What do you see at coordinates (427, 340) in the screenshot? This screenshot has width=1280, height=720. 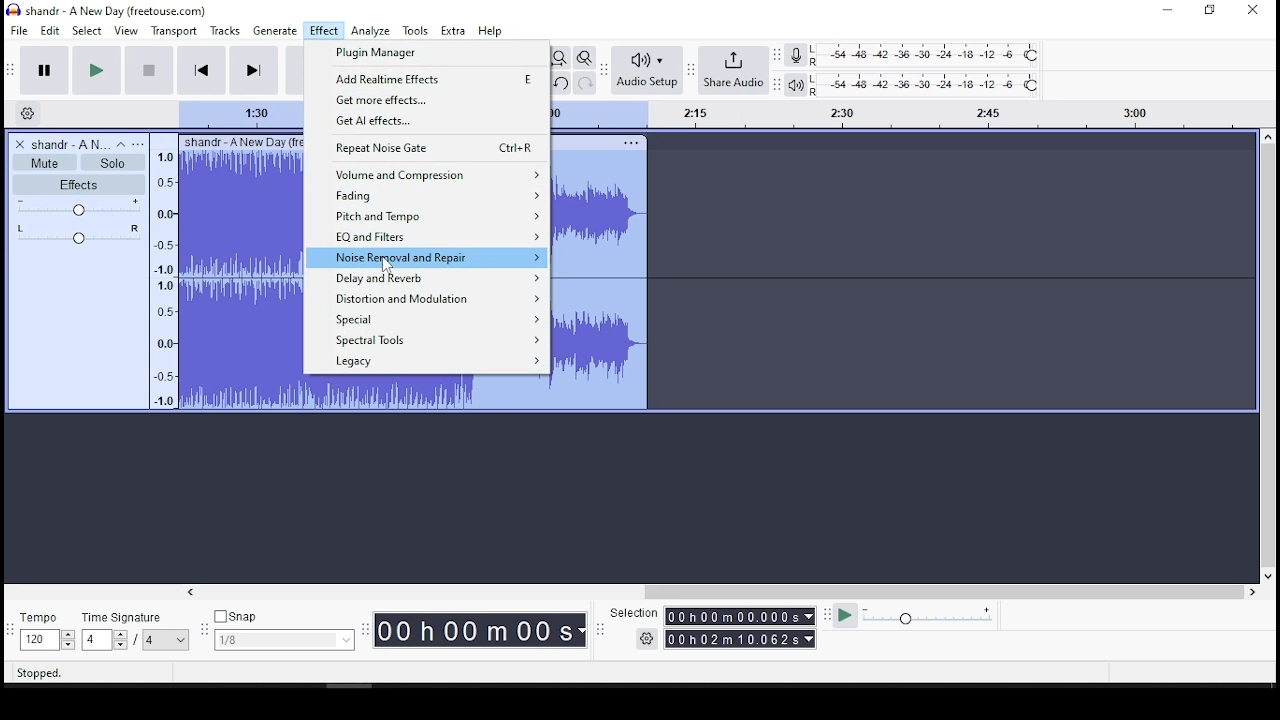 I see `spectral tools` at bounding box center [427, 340].